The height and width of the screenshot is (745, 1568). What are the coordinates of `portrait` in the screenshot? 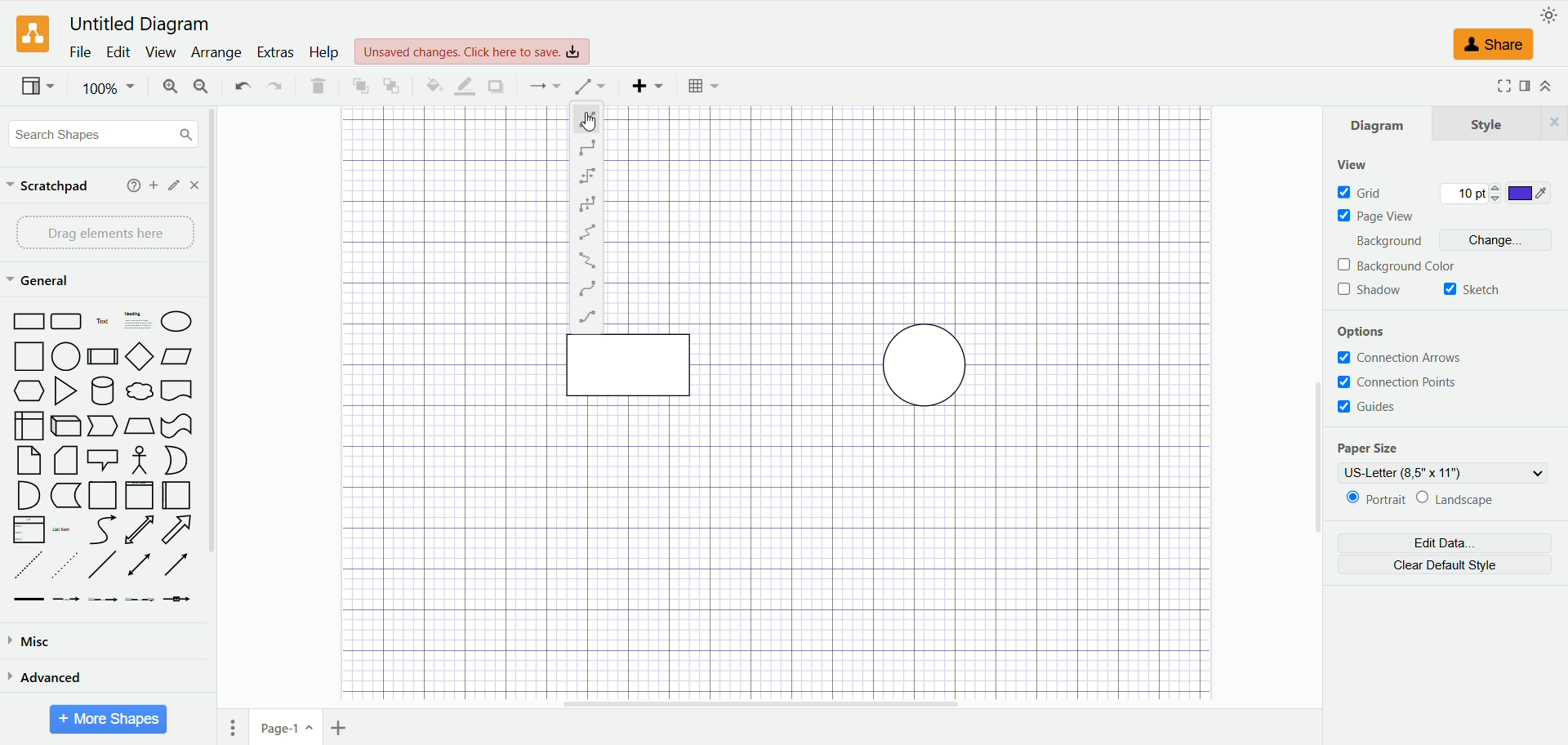 It's located at (1371, 500).